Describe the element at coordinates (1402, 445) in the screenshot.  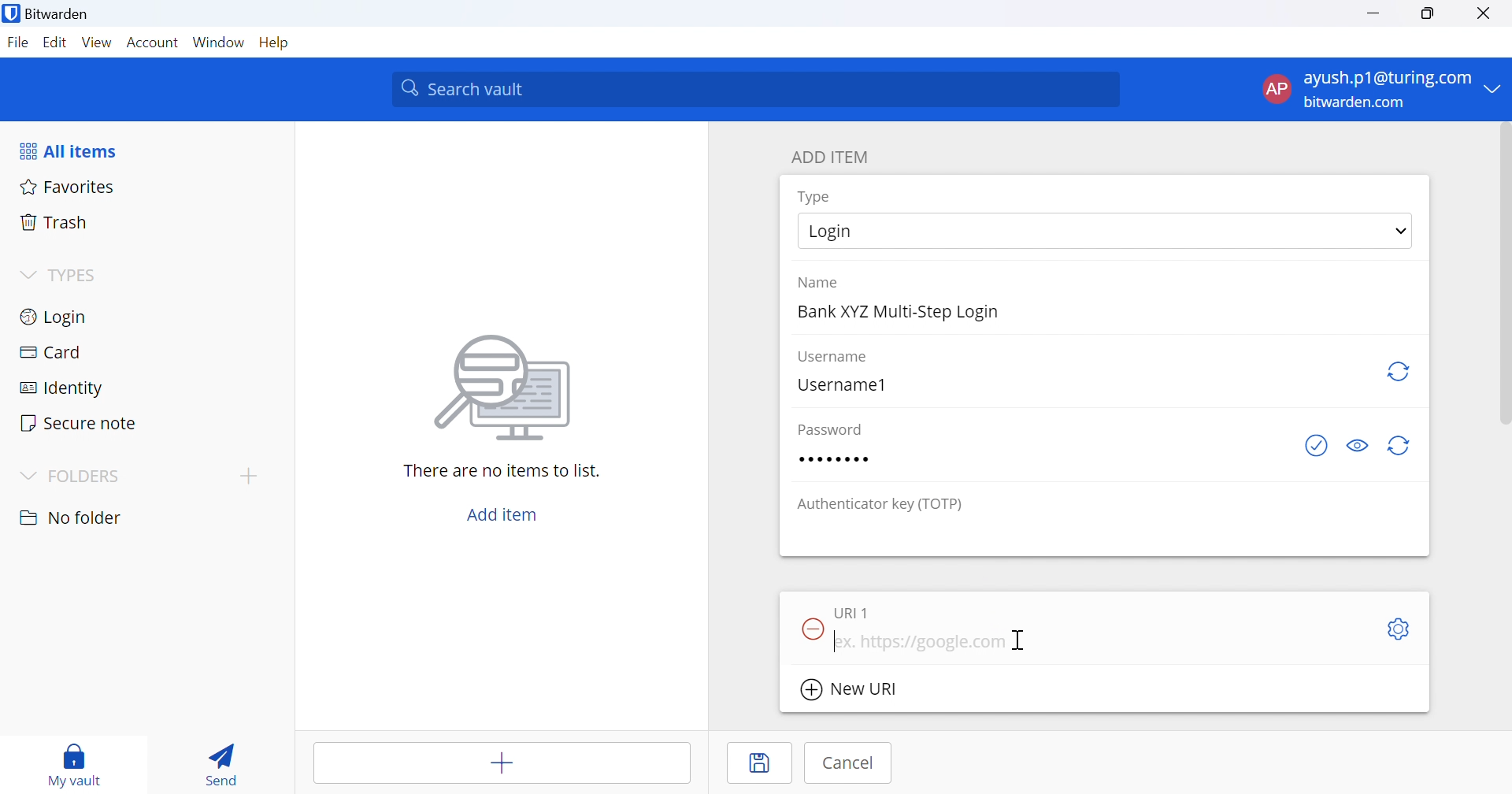
I see `Regenerate Password` at that location.